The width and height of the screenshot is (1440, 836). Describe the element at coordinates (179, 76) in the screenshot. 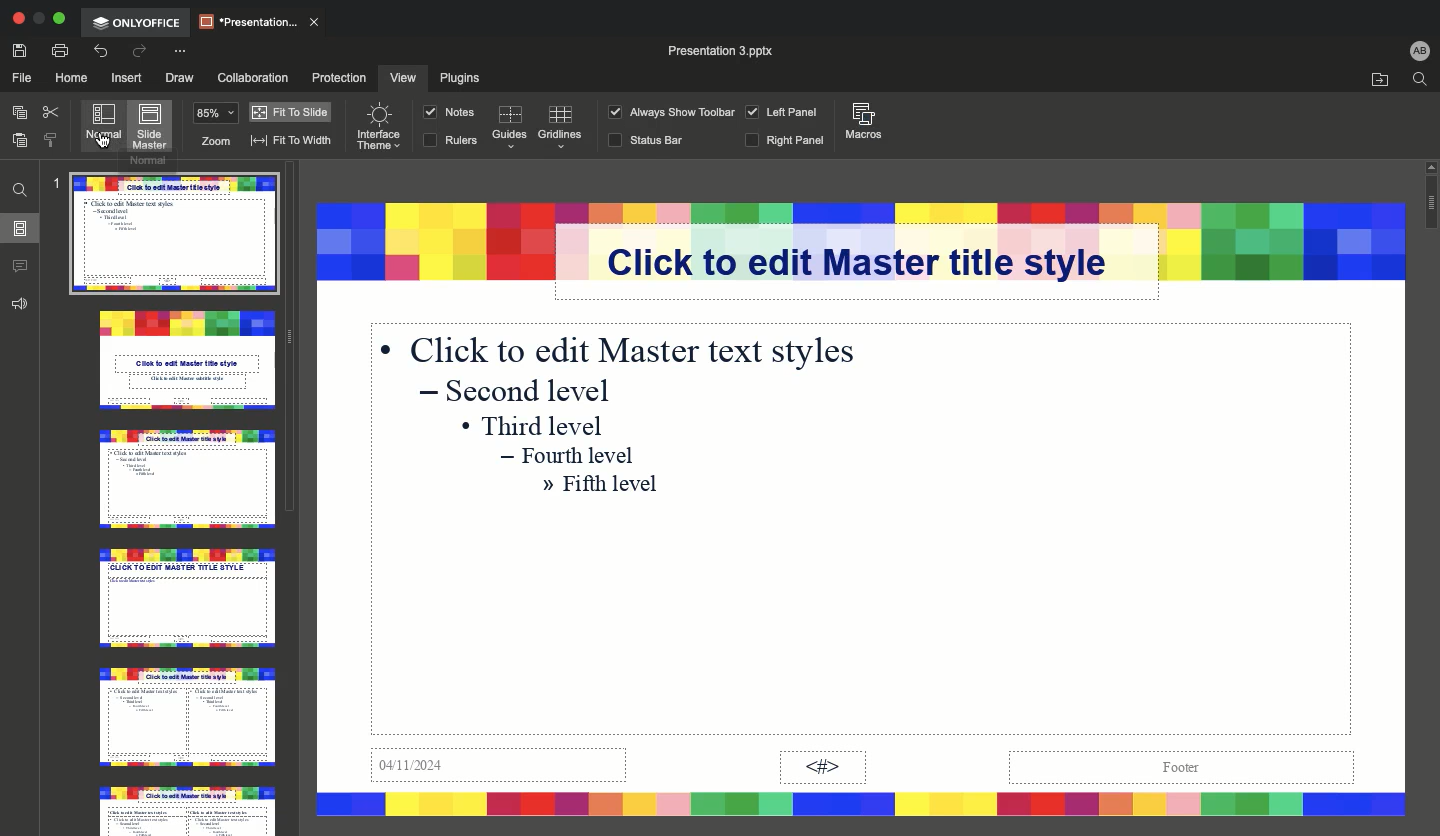

I see `Draw` at that location.